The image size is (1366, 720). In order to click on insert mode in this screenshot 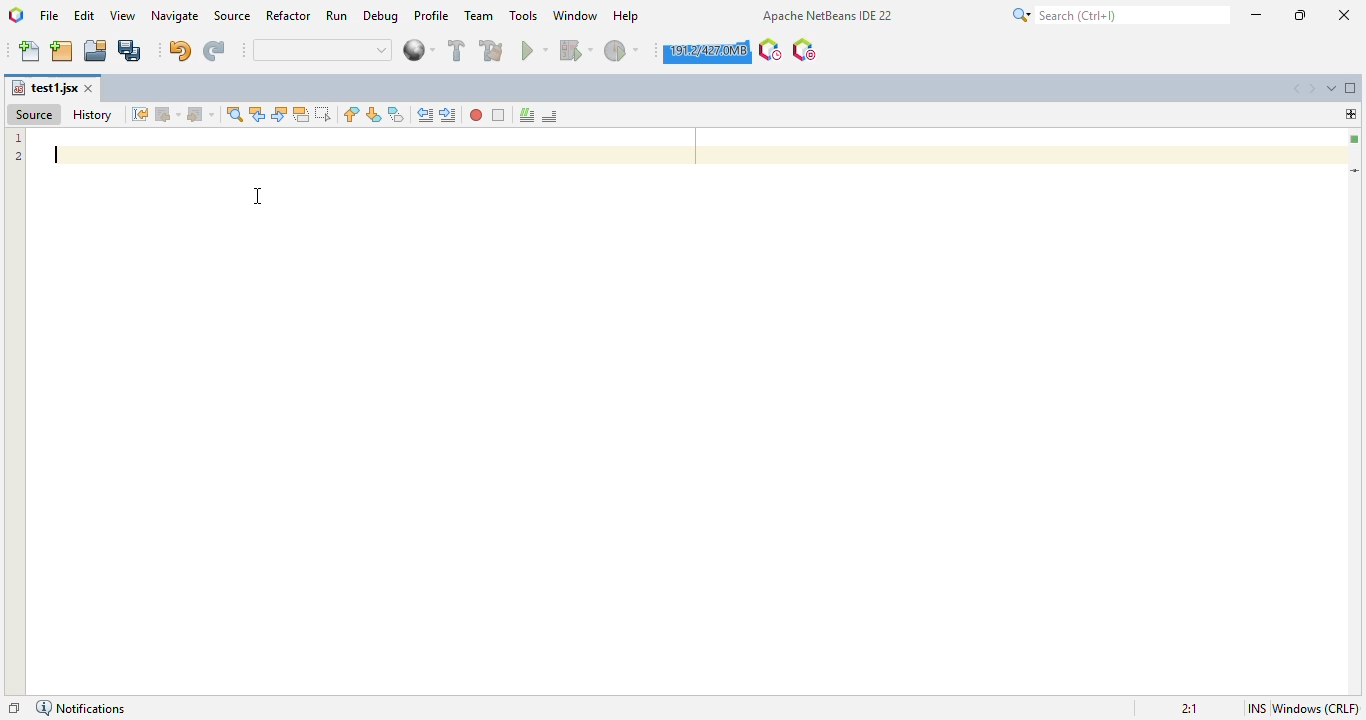, I will do `click(1257, 708)`.